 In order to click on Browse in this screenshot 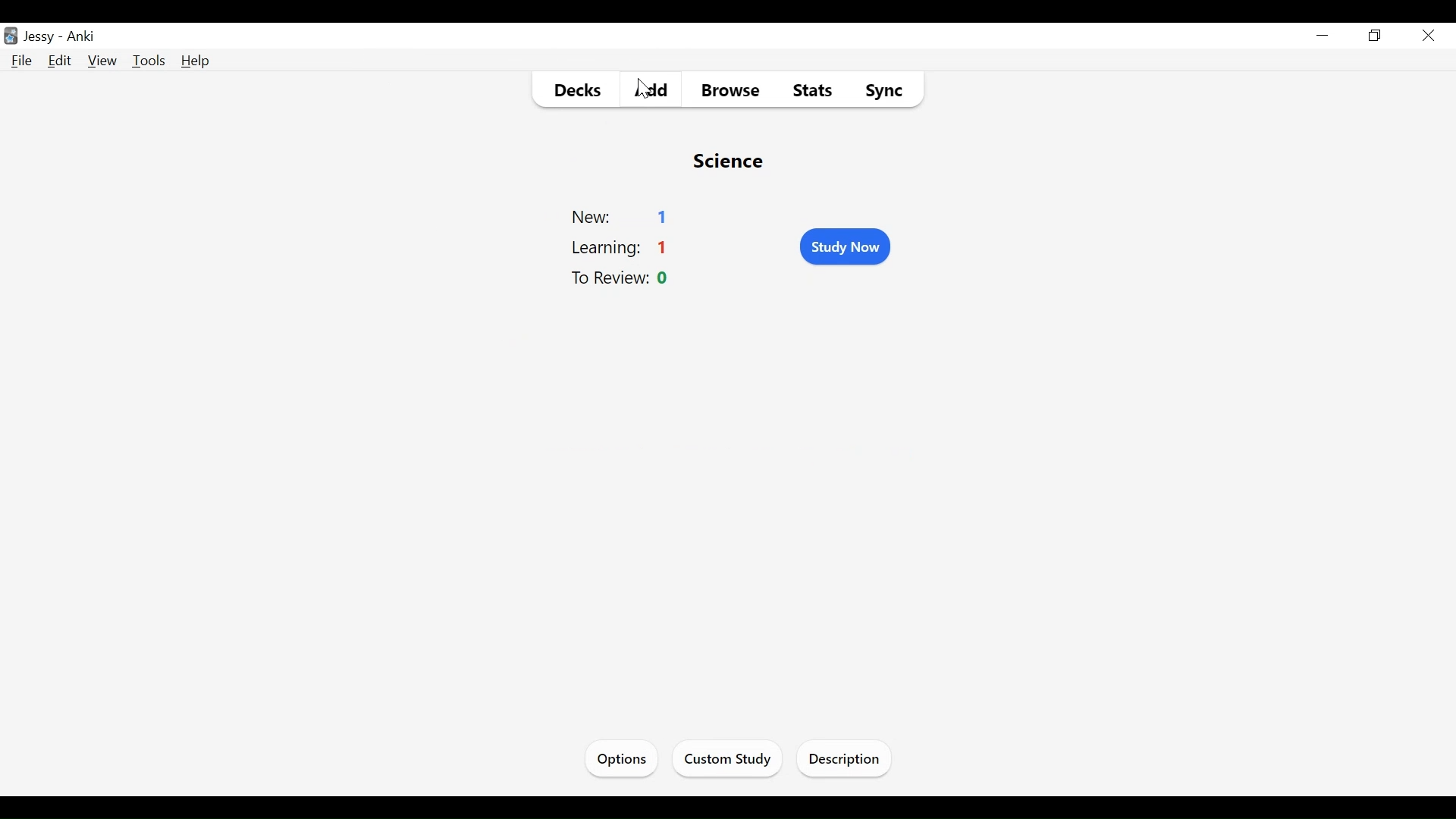, I will do `click(733, 91)`.